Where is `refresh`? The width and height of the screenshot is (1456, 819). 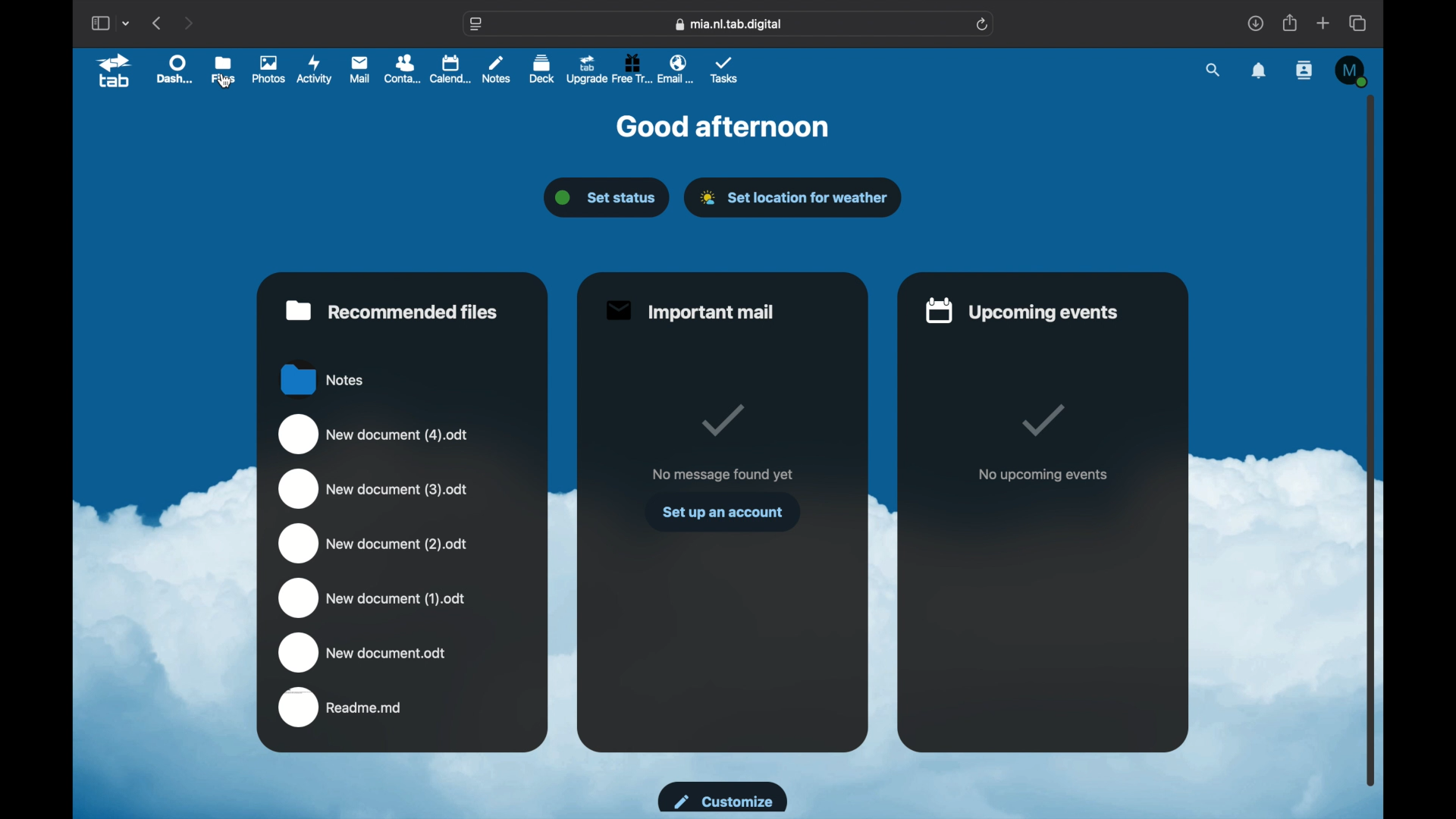
refresh is located at coordinates (983, 24).